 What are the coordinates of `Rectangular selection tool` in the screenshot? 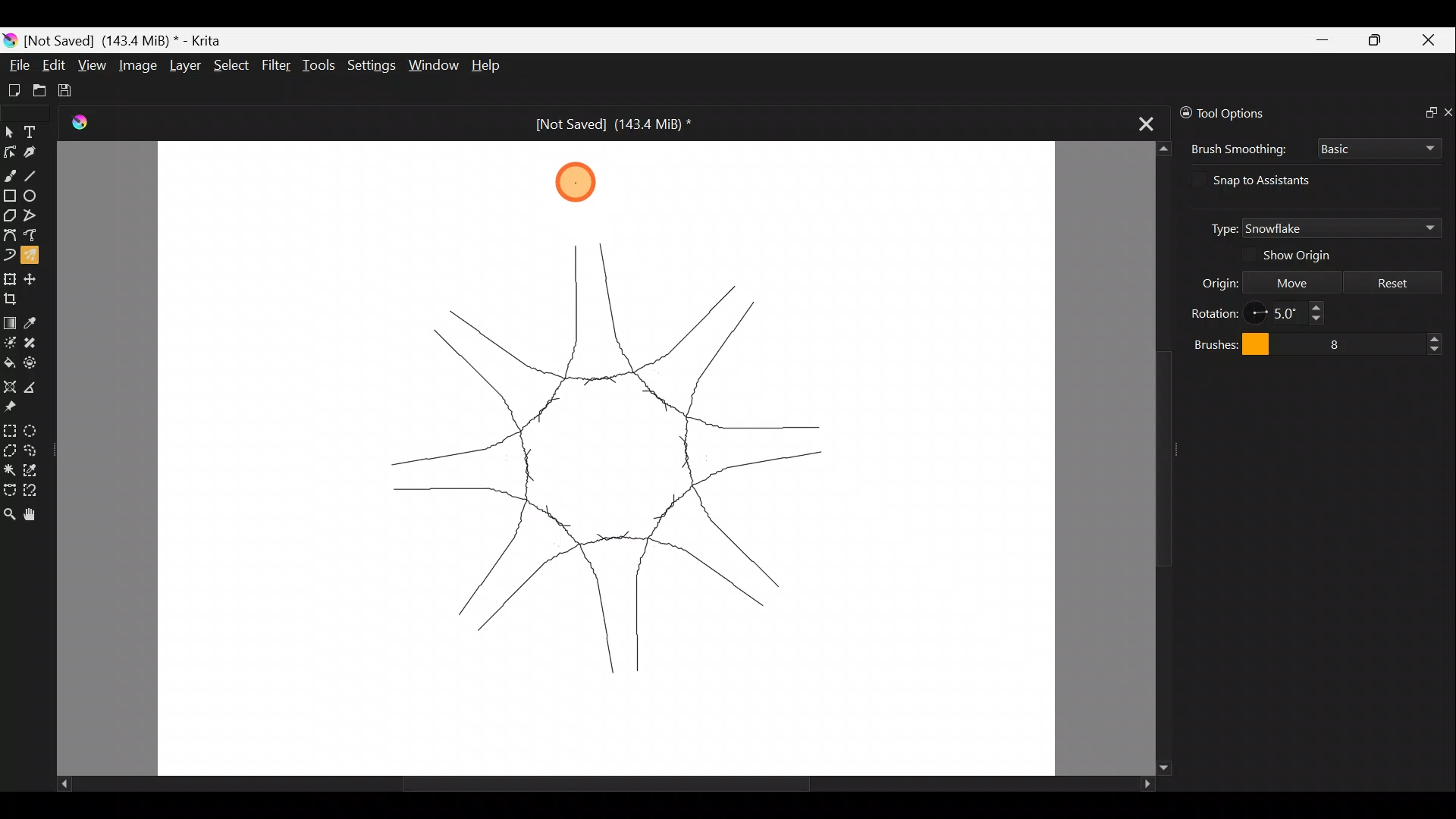 It's located at (9, 428).